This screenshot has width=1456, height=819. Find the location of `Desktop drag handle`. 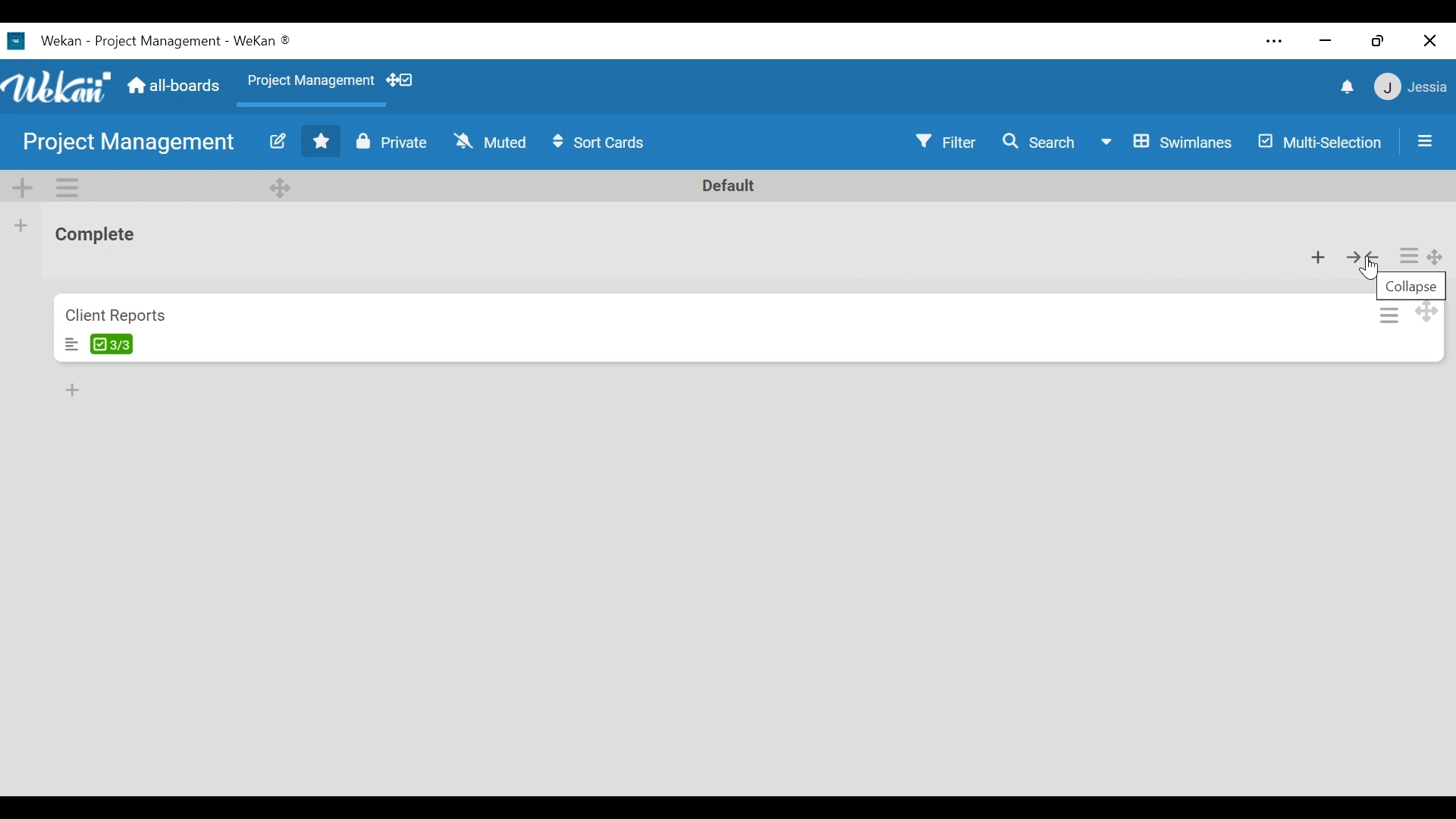

Desktop drag handle is located at coordinates (1436, 258).